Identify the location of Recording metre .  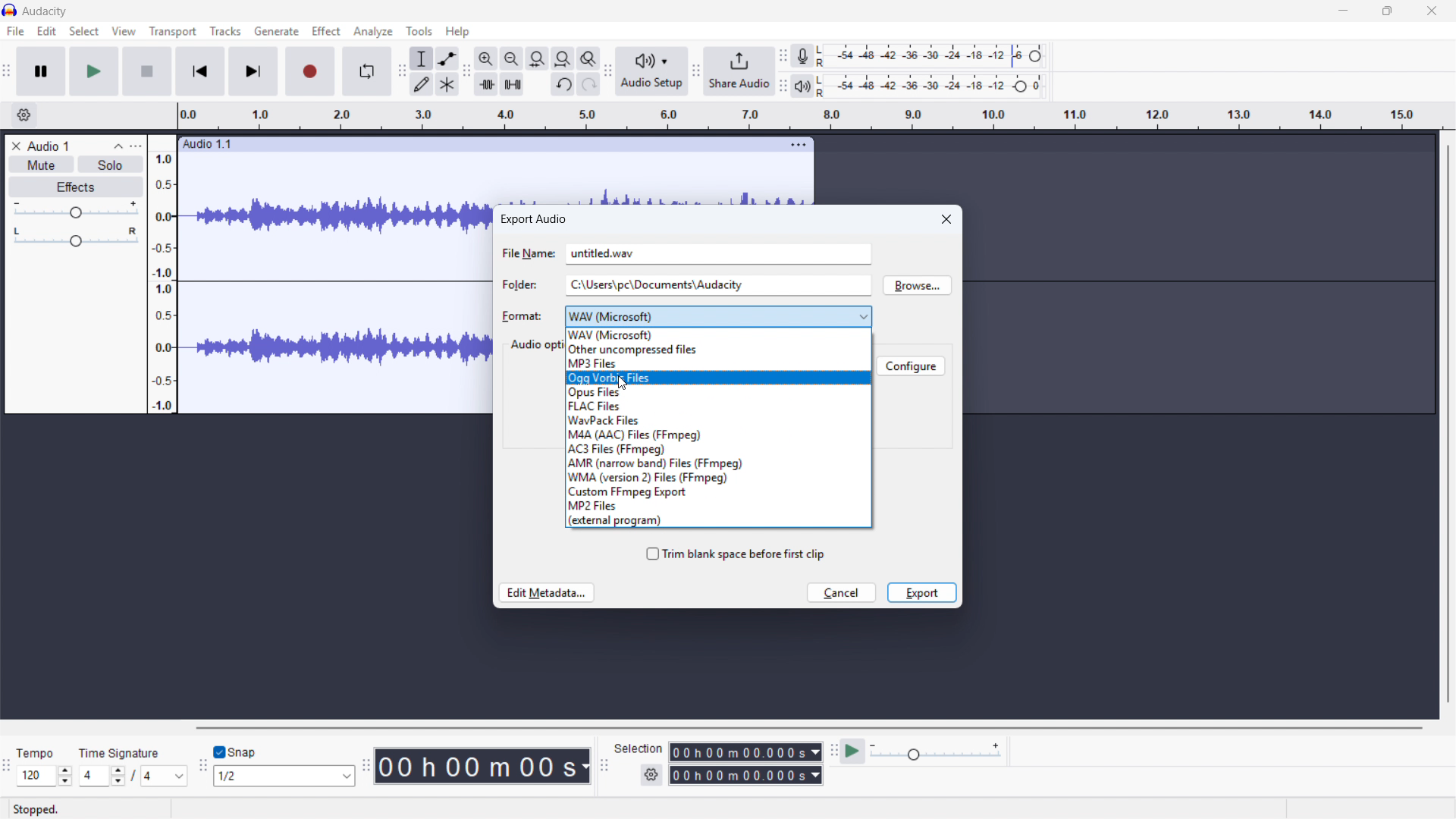
(802, 56).